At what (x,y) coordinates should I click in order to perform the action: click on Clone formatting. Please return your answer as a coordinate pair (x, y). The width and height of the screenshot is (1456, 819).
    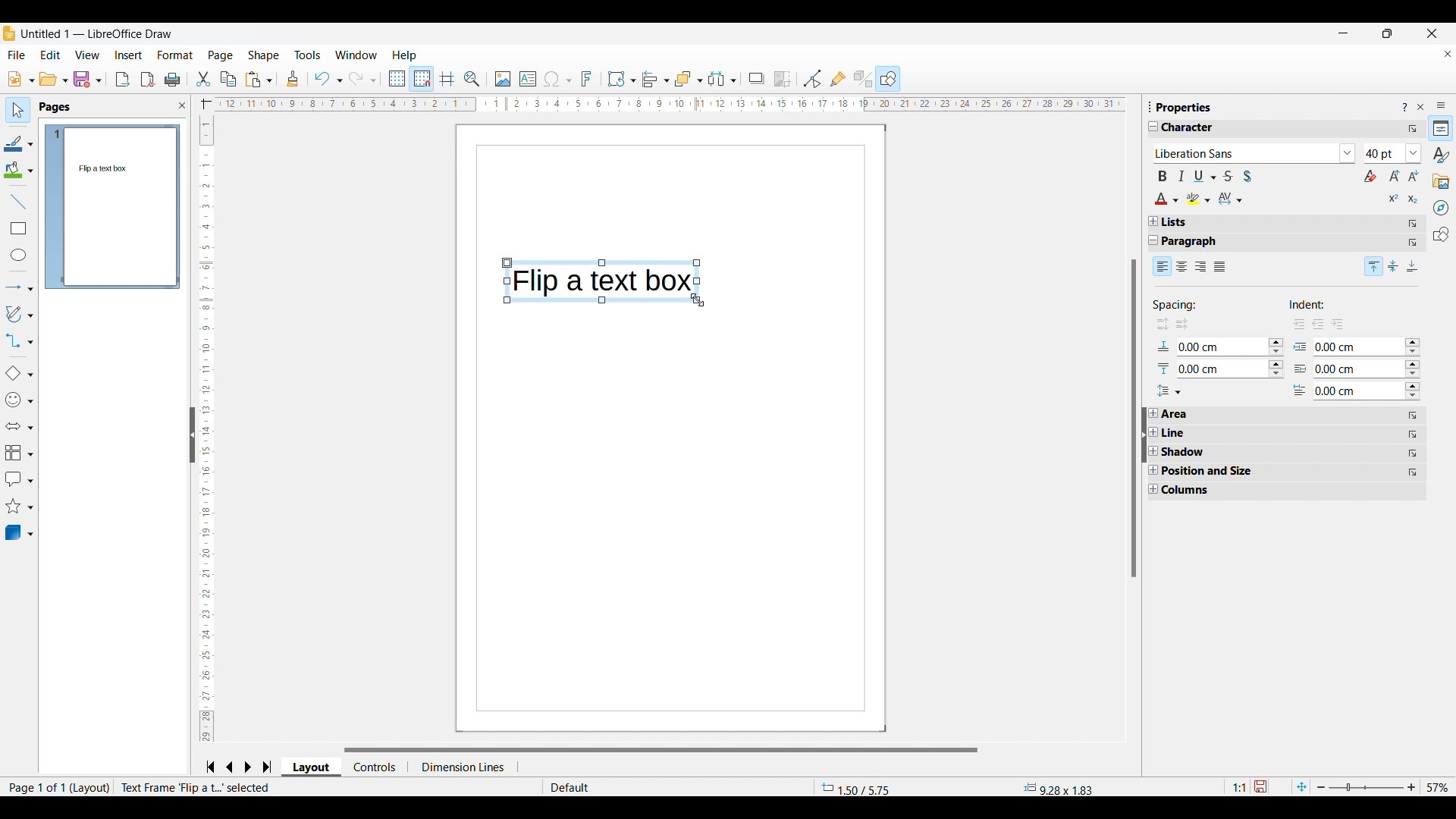
    Looking at the image, I should click on (292, 78).